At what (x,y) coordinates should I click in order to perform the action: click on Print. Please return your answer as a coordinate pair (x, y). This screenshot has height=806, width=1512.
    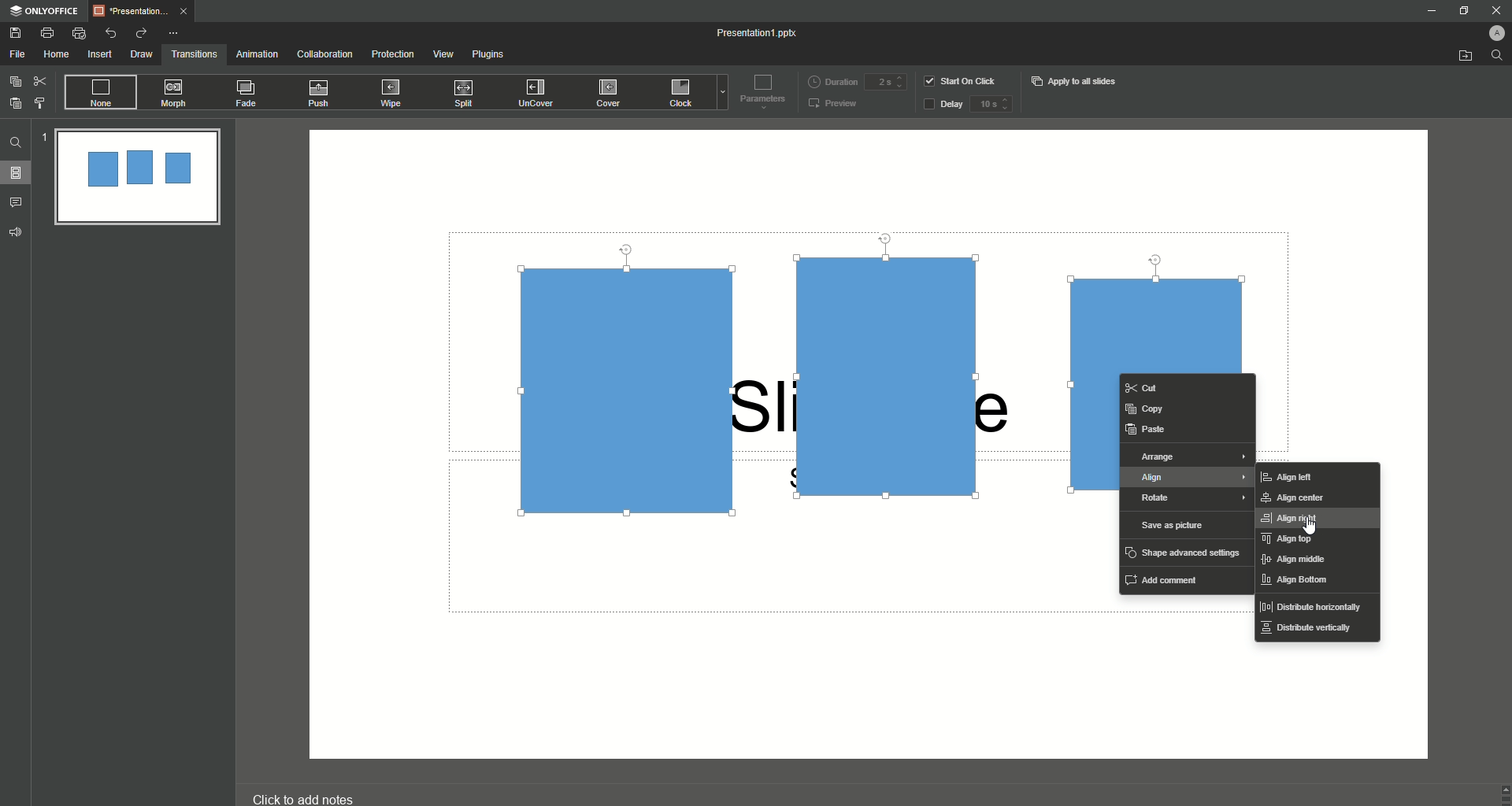
    Looking at the image, I should click on (47, 32).